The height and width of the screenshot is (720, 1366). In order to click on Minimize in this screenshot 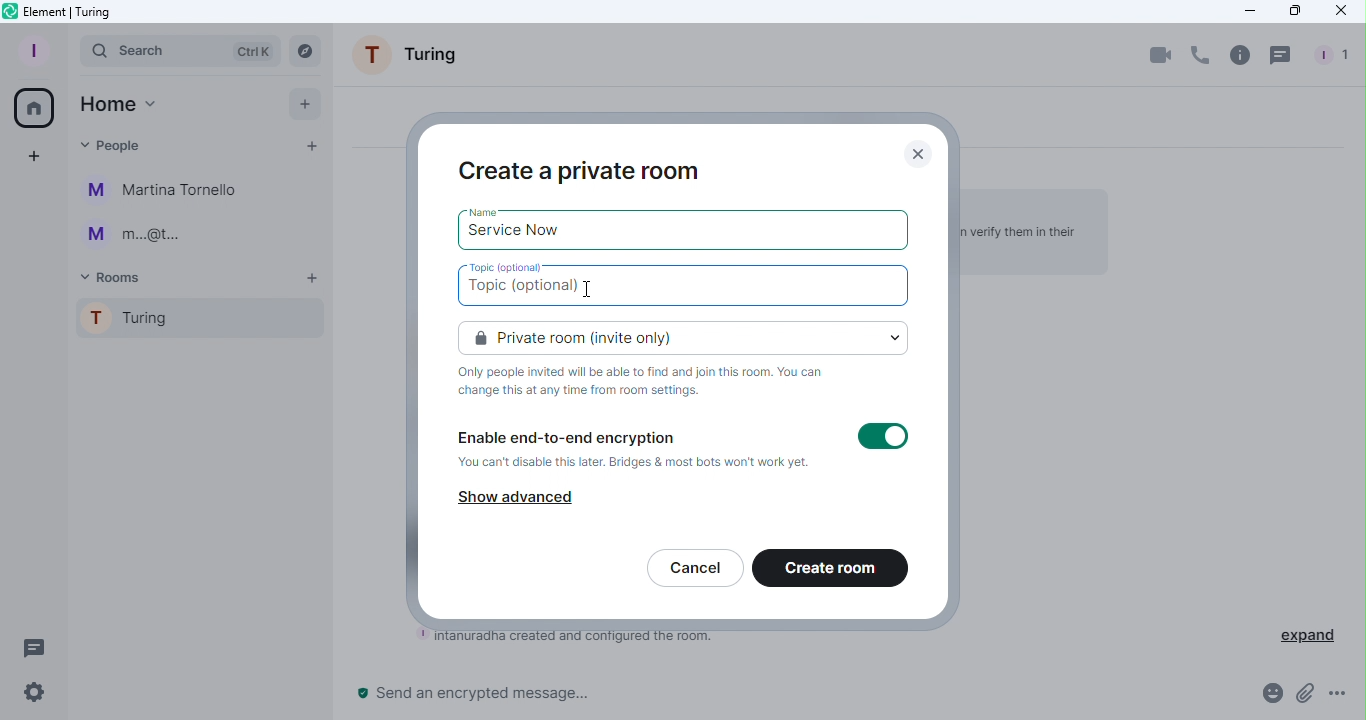, I will do `click(1245, 11)`.